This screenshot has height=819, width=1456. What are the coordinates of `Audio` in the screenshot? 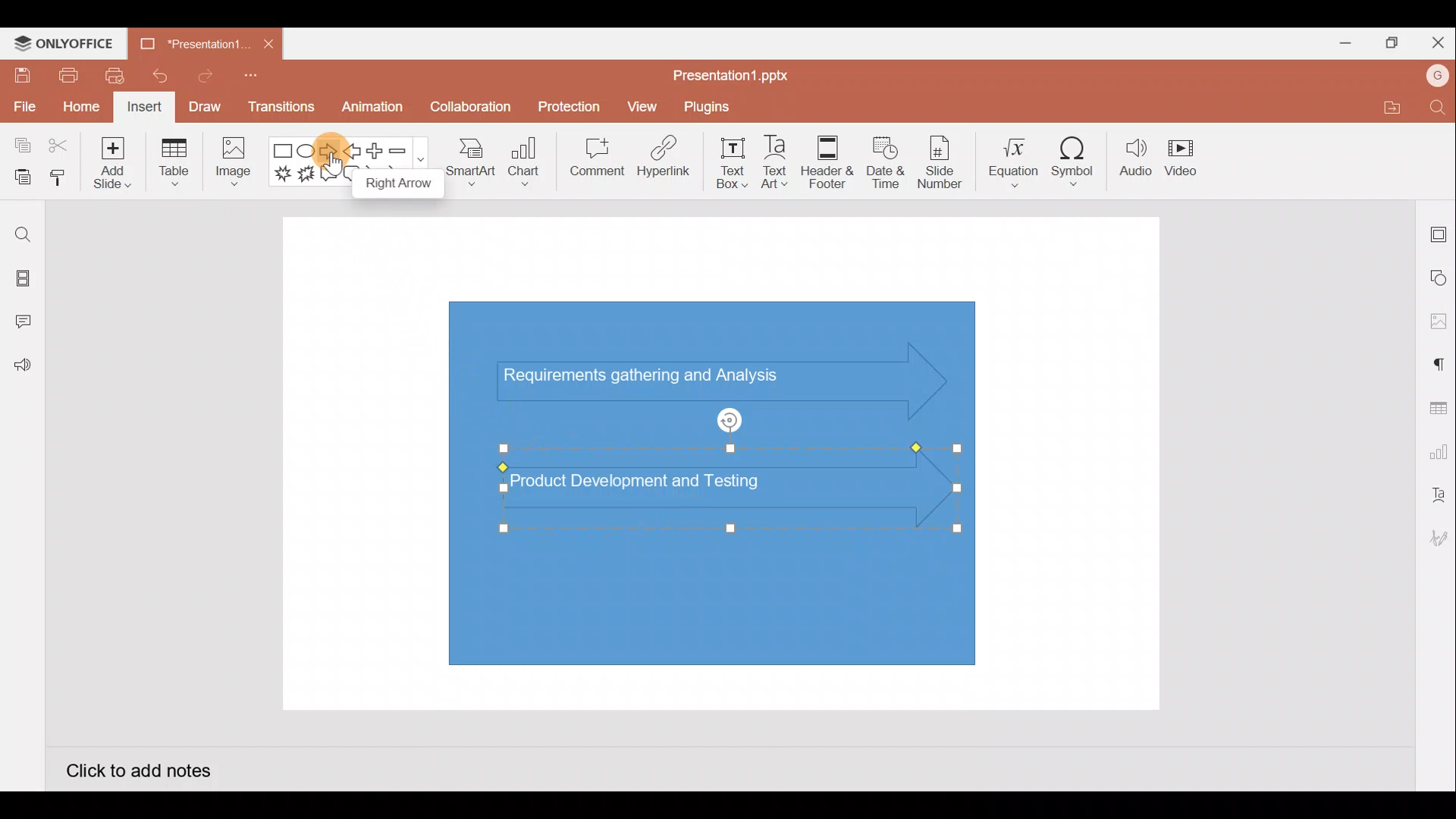 It's located at (1136, 158).